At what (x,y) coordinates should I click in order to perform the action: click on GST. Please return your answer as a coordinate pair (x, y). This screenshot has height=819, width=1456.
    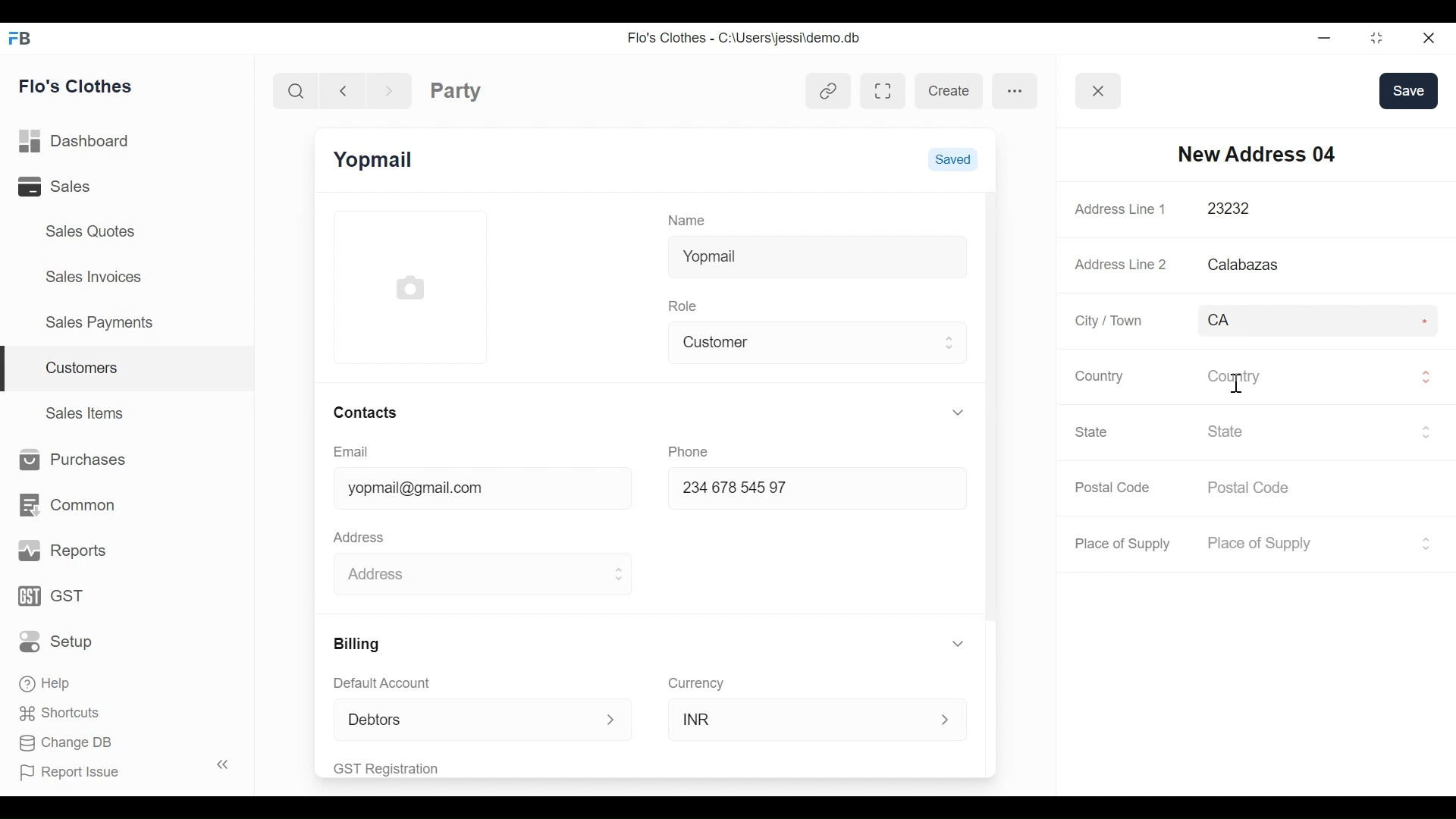
    Looking at the image, I should click on (53, 598).